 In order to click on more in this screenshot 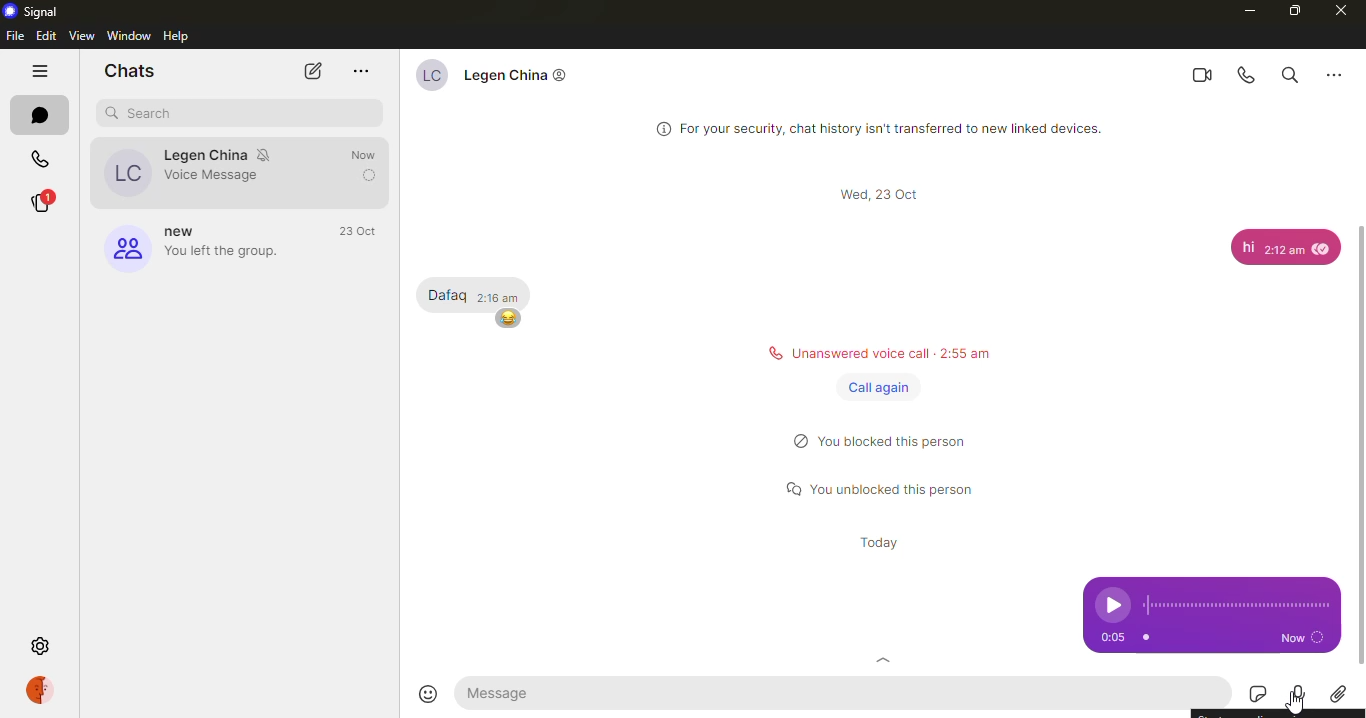, I will do `click(359, 71)`.